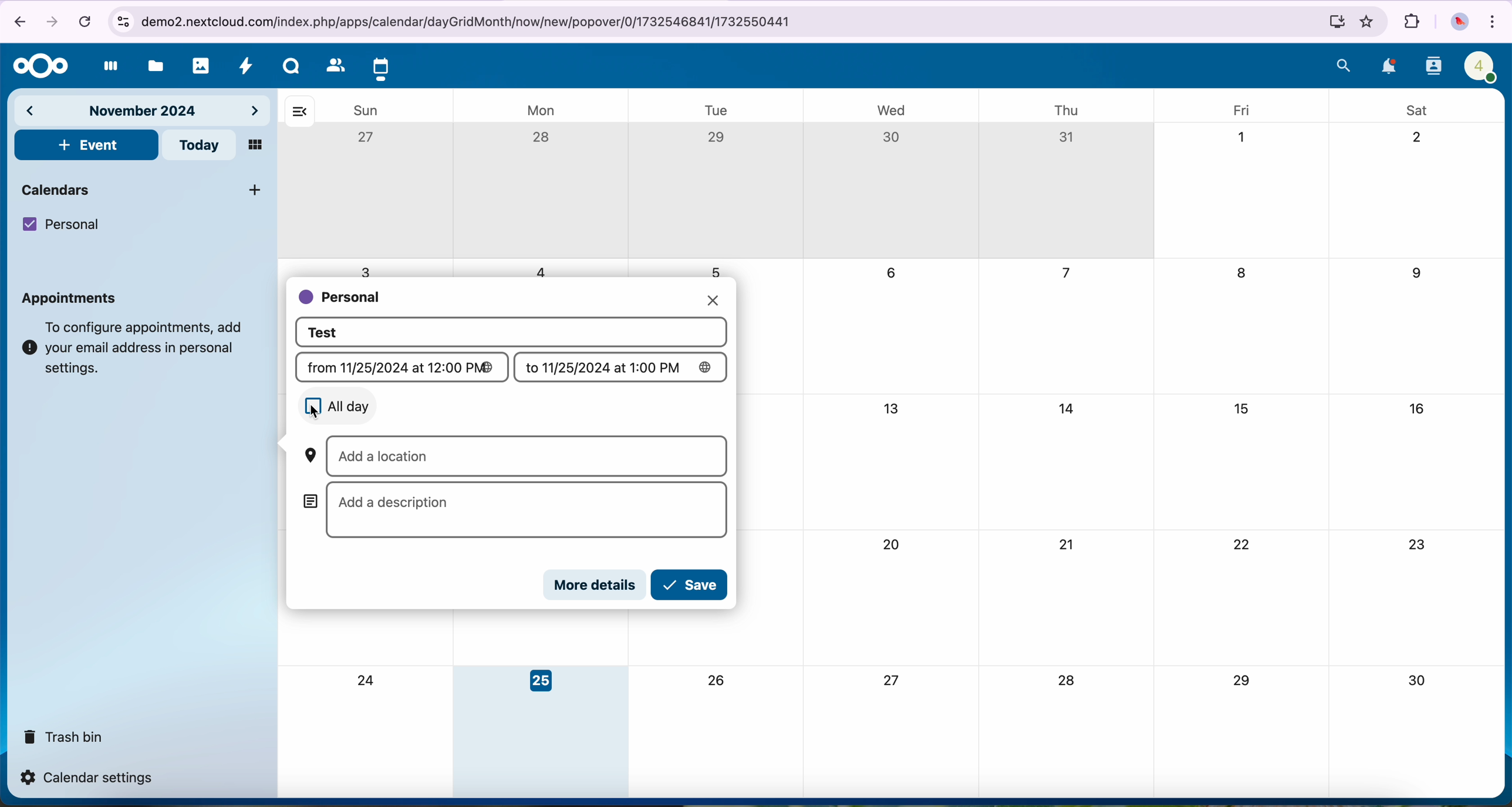 The width and height of the screenshot is (1512, 807). Describe the element at coordinates (50, 23) in the screenshot. I see `navigate foward` at that location.